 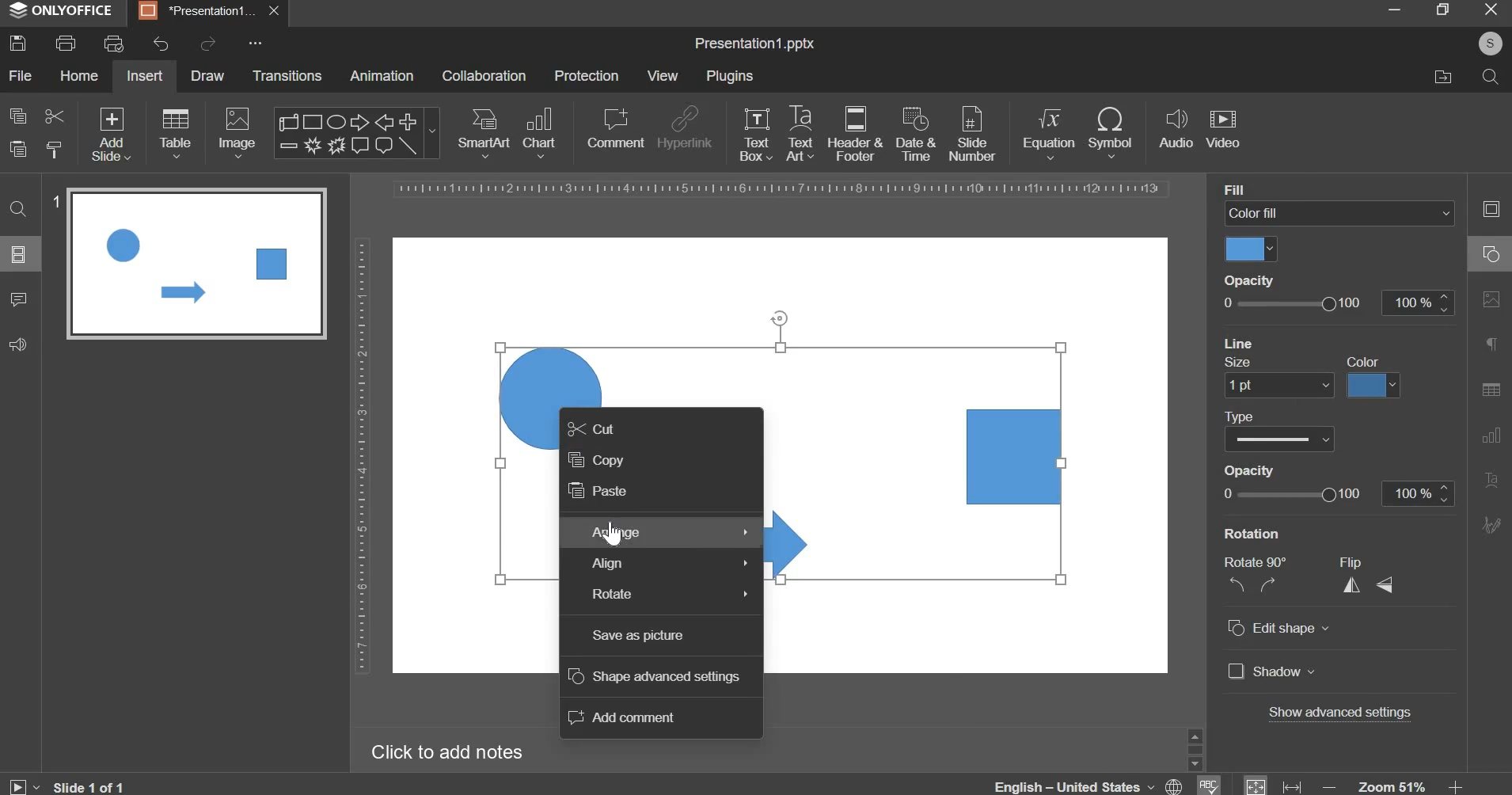 I want to click on print, so click(x=66, y=44).